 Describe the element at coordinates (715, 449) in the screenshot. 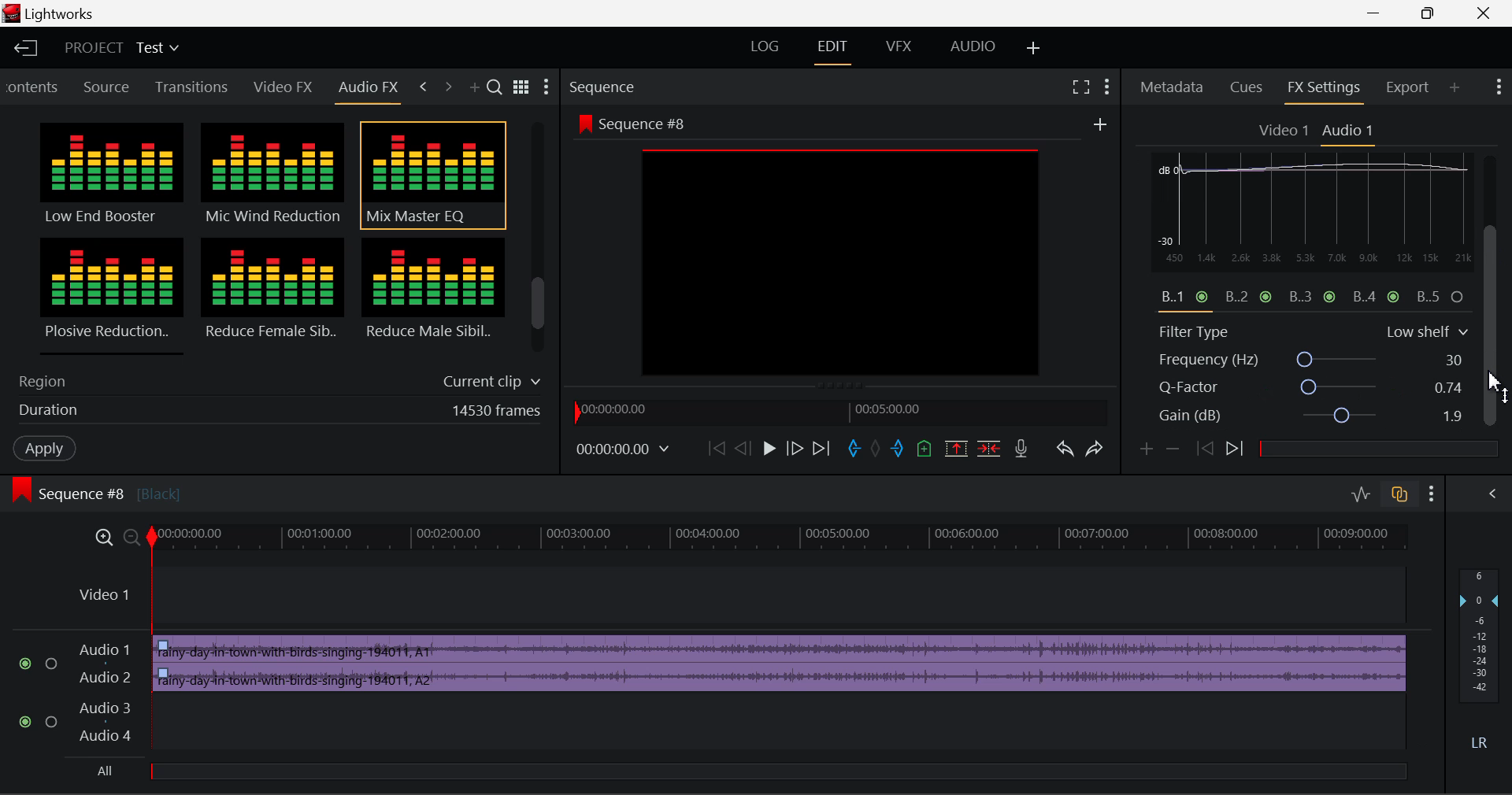

I see `To Start` at that location.